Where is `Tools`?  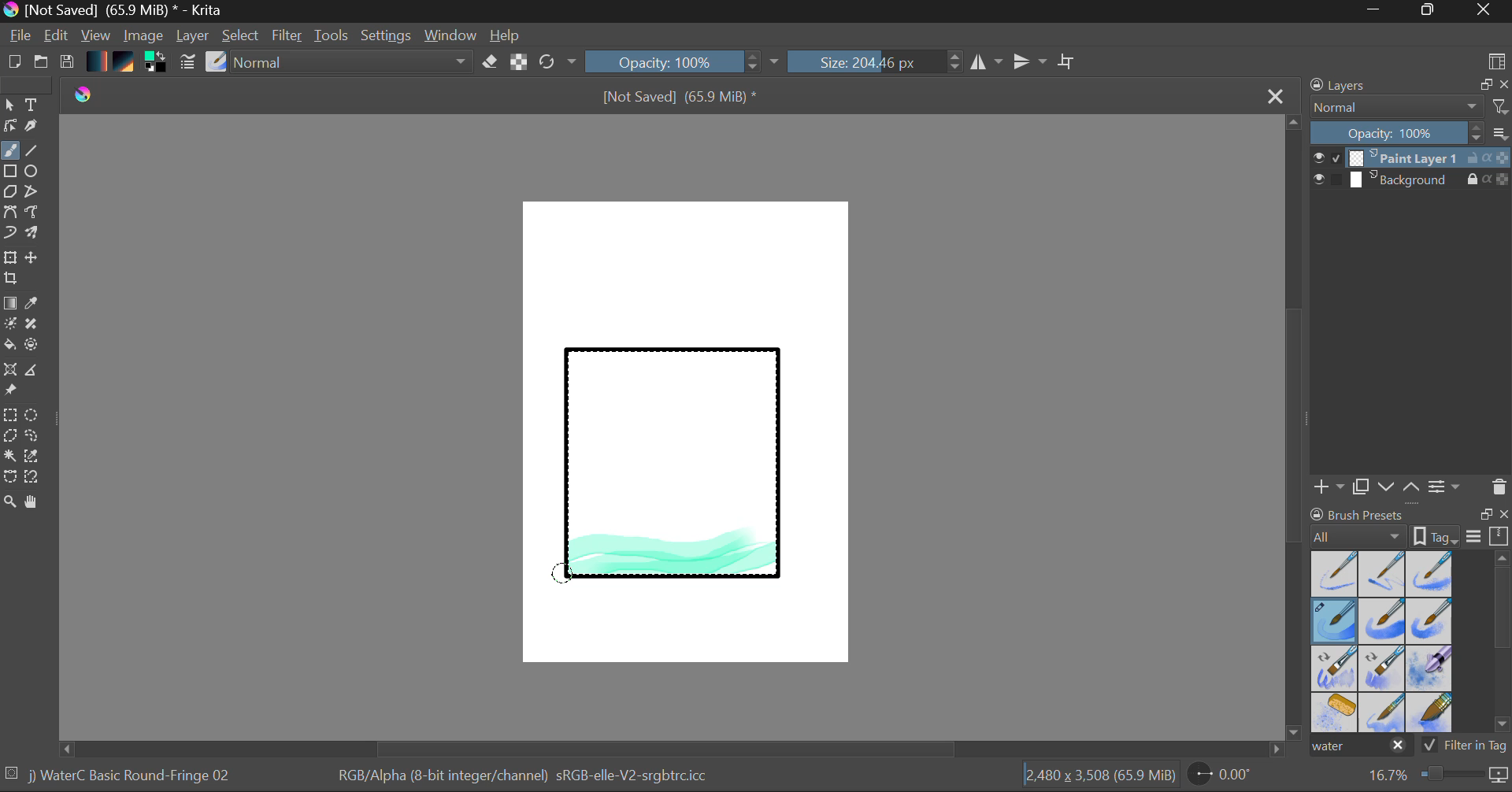
Tools is located at coordinates (332, 36).